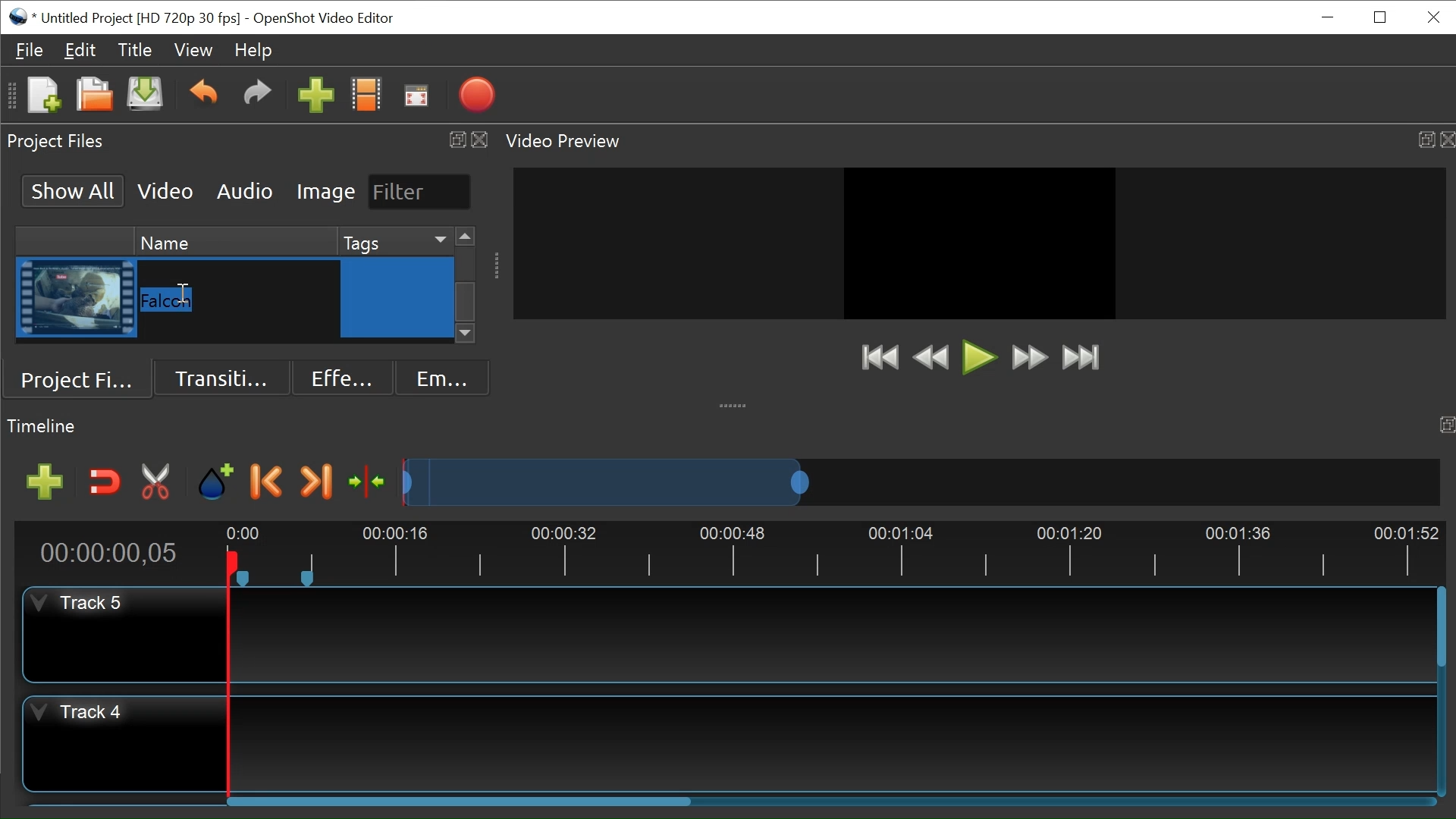 This screenshot has width=1456, height=819. What do you see at coordinates (30, 49) in the screenshot?
I see `Files` at bounding box center [30, 49].